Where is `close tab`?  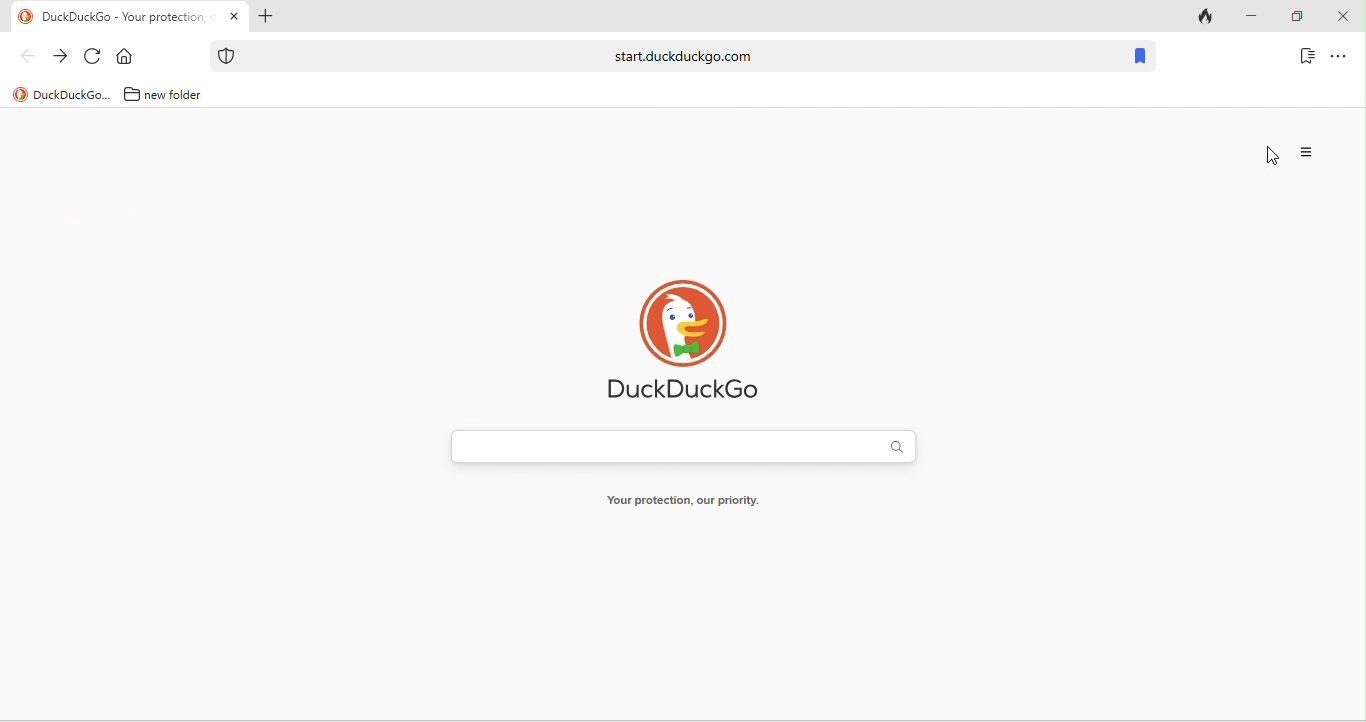
close tab is located at coordinates (234, 17).